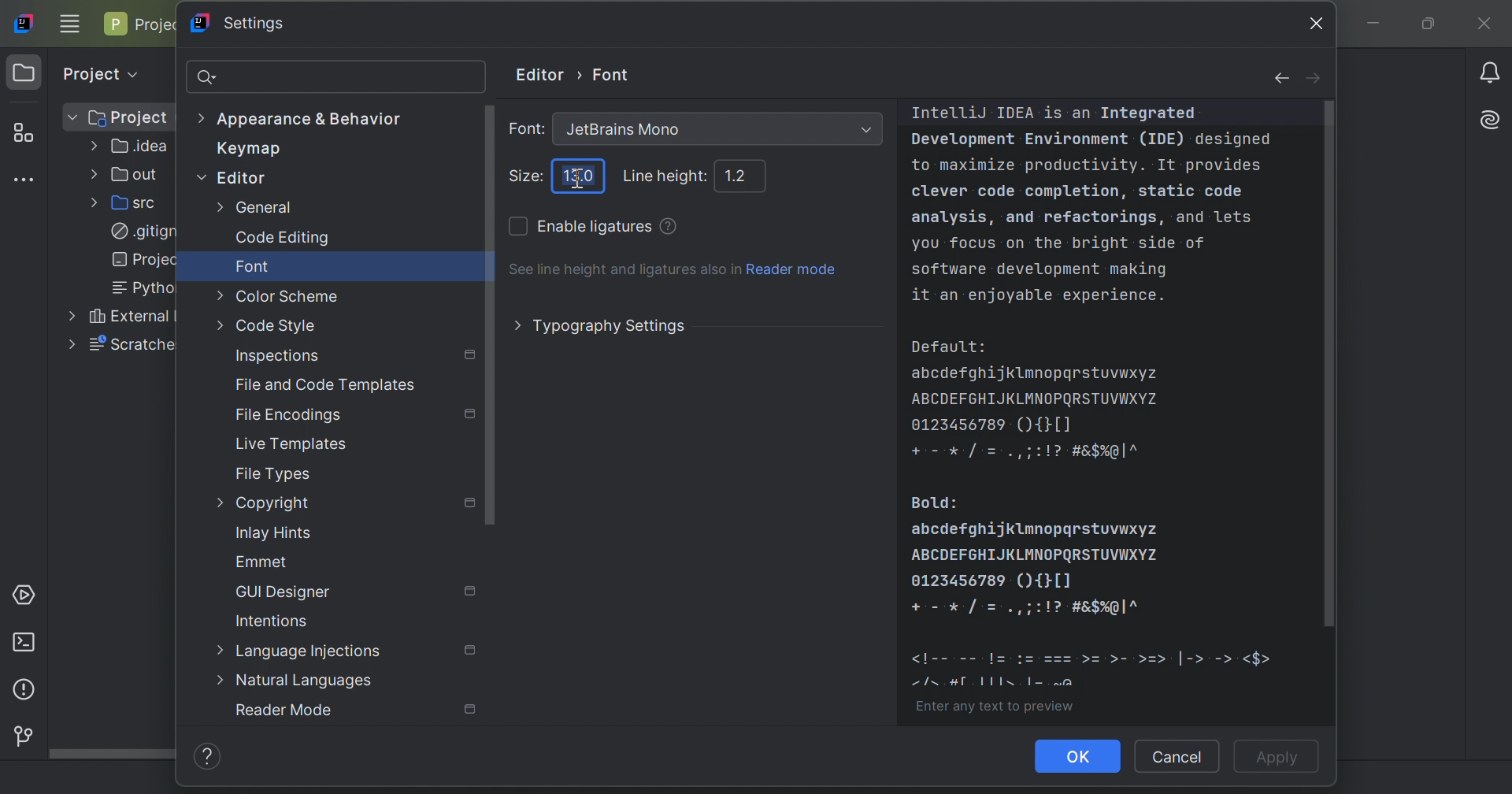  Describe the element at coordinates (1492, 72) in the screenshot. I see `Notifications` at that location.